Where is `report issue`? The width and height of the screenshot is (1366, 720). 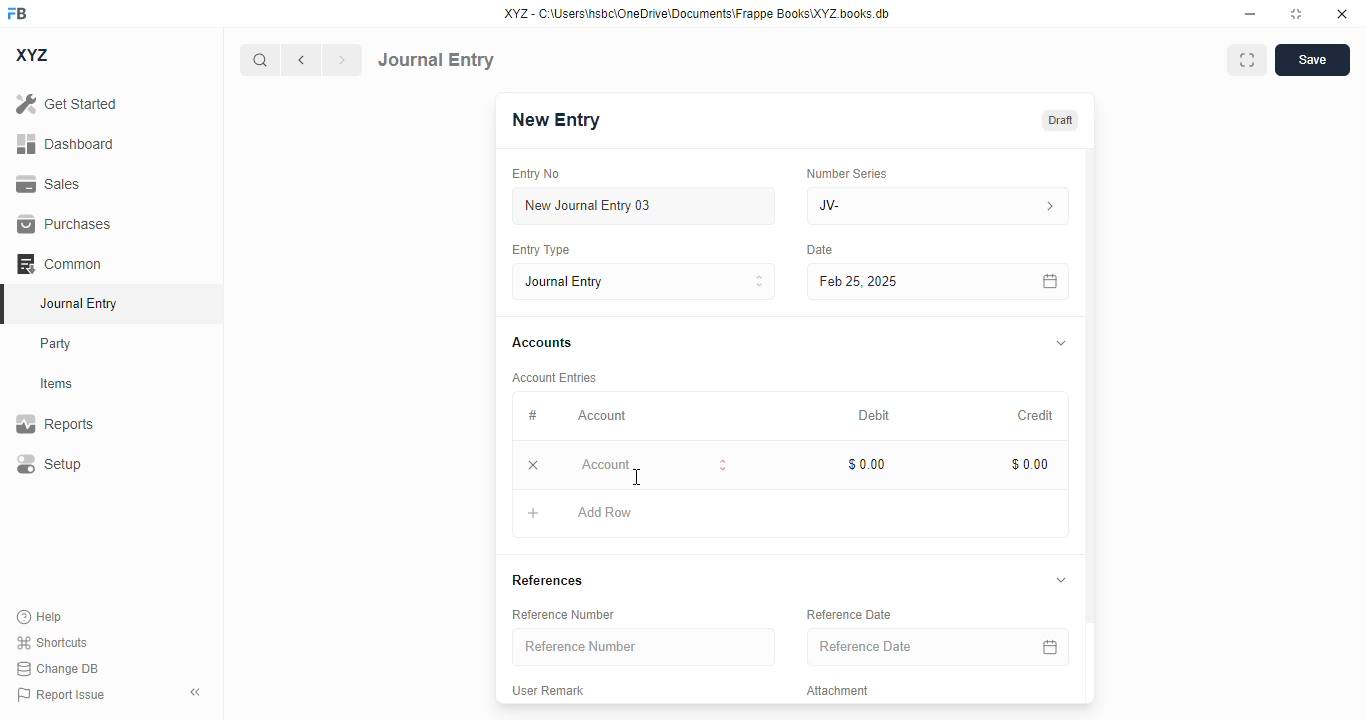 report issue is located at coordinates (61, 695).